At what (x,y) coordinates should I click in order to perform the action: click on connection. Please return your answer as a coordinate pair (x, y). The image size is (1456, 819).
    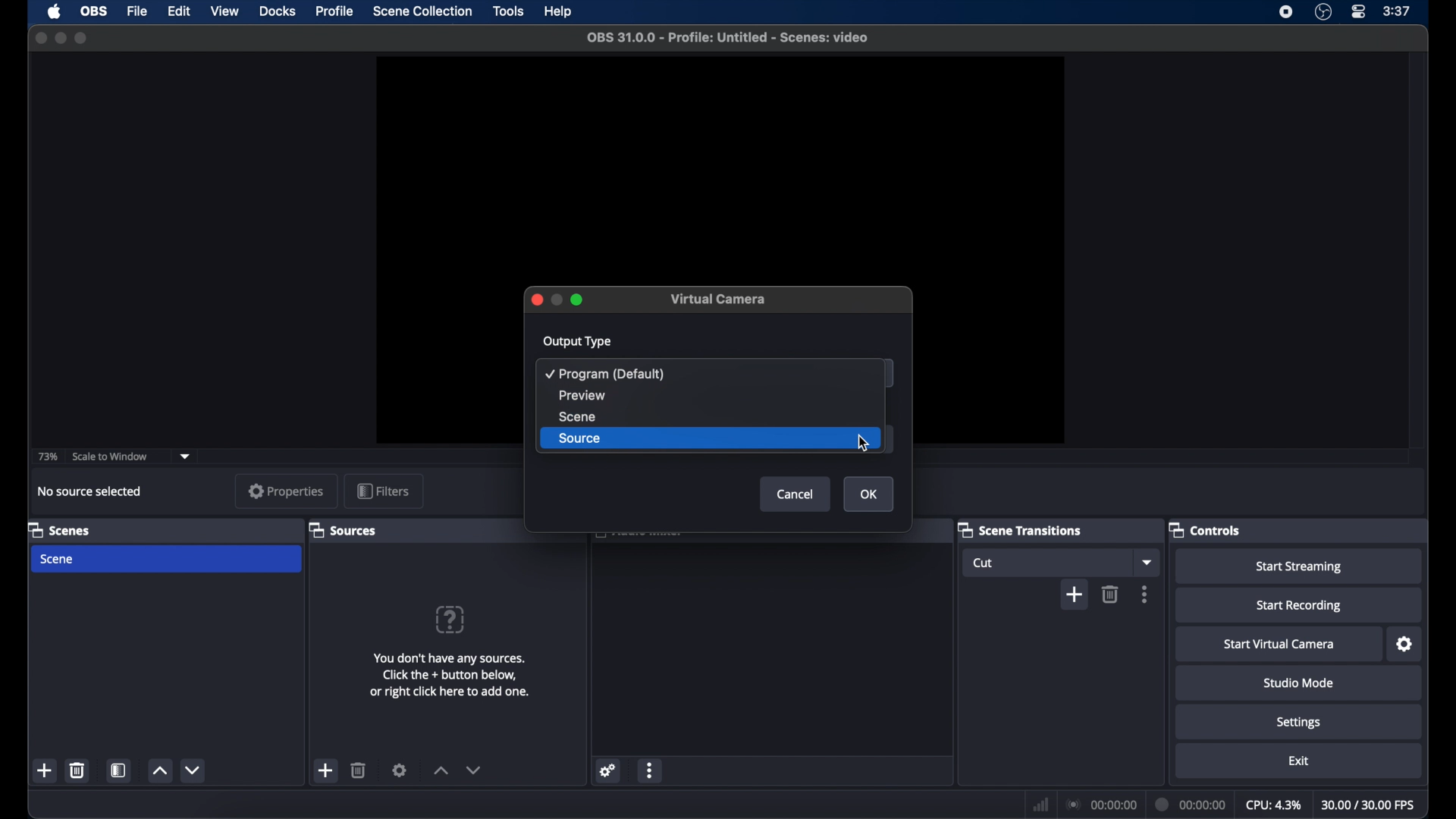
    Looking at the image, I should click on (1100, 804).